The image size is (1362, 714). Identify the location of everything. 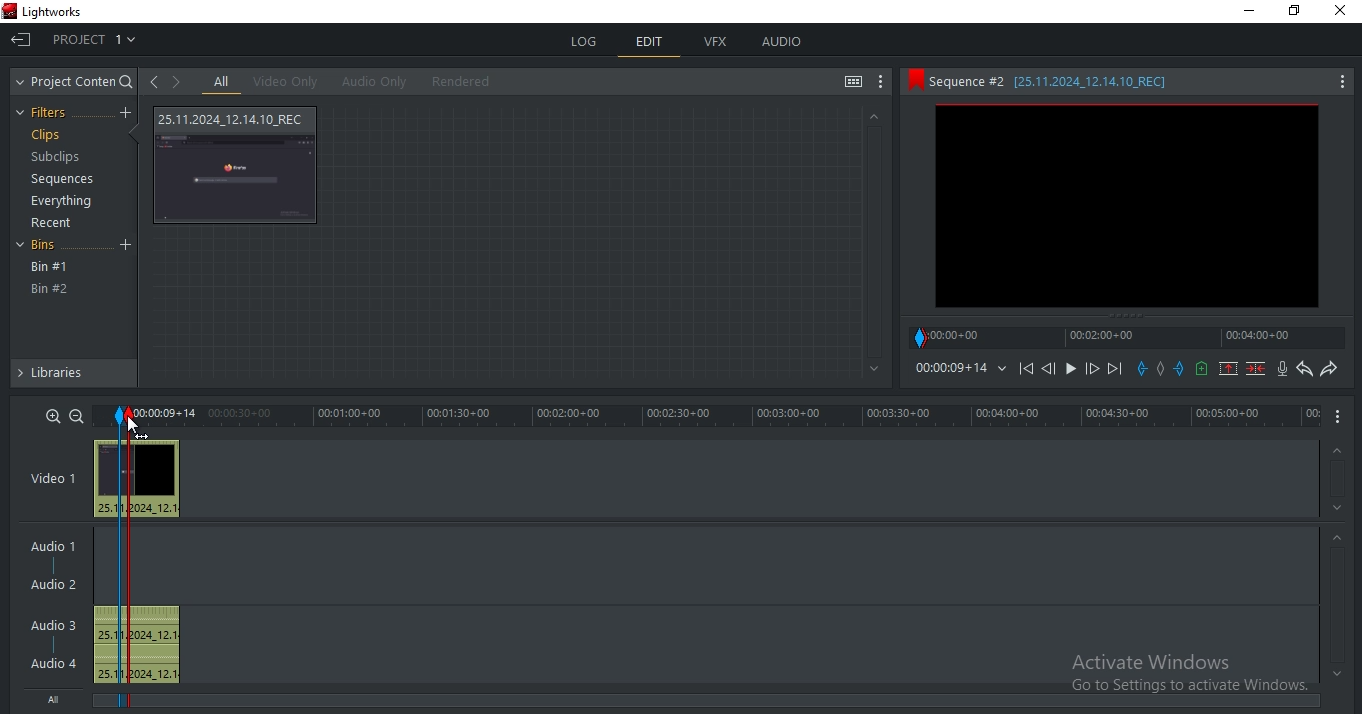
(65, 203).